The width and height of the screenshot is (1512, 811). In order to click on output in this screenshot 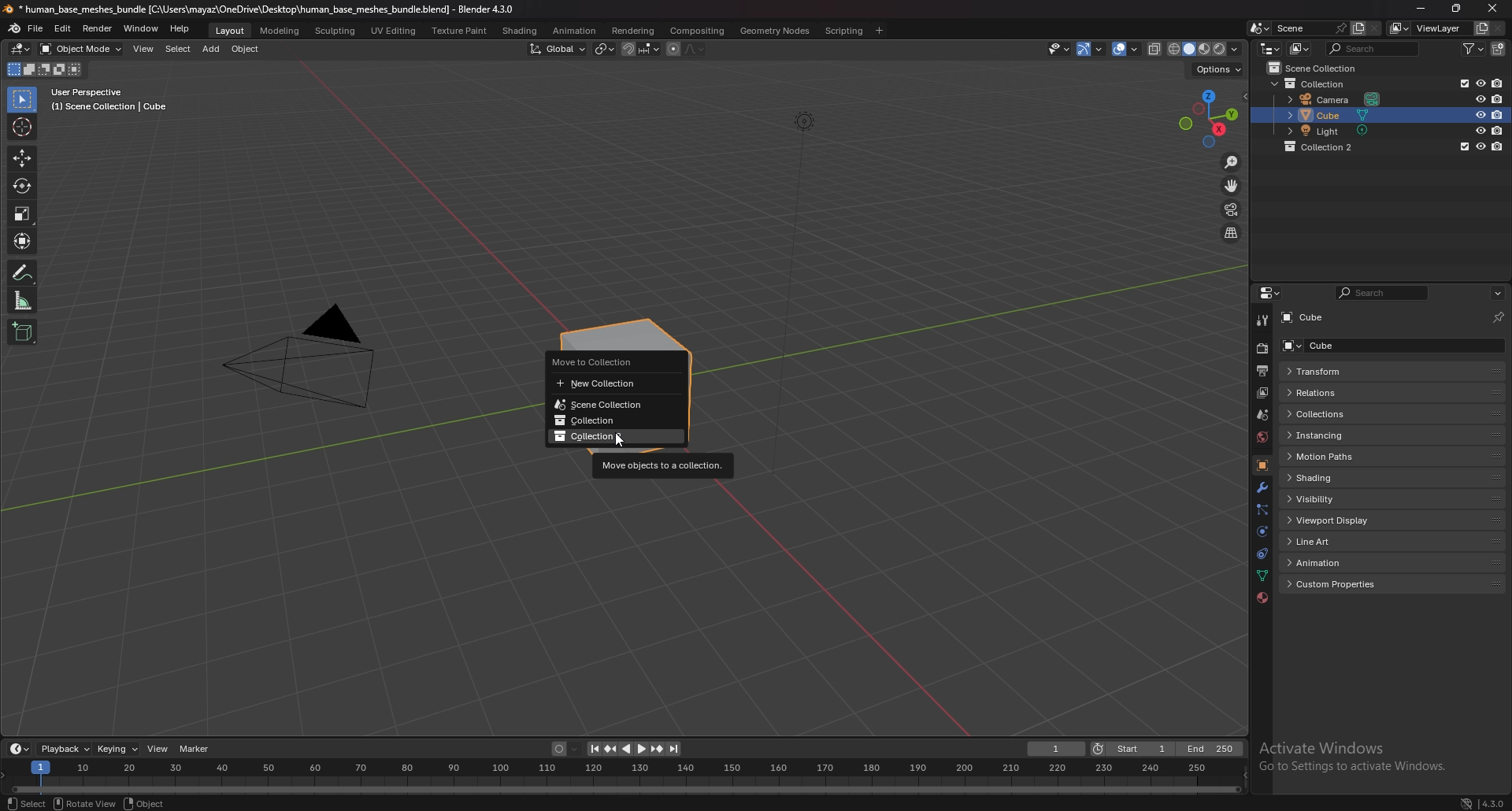, I will do `click(1262, 372)`.